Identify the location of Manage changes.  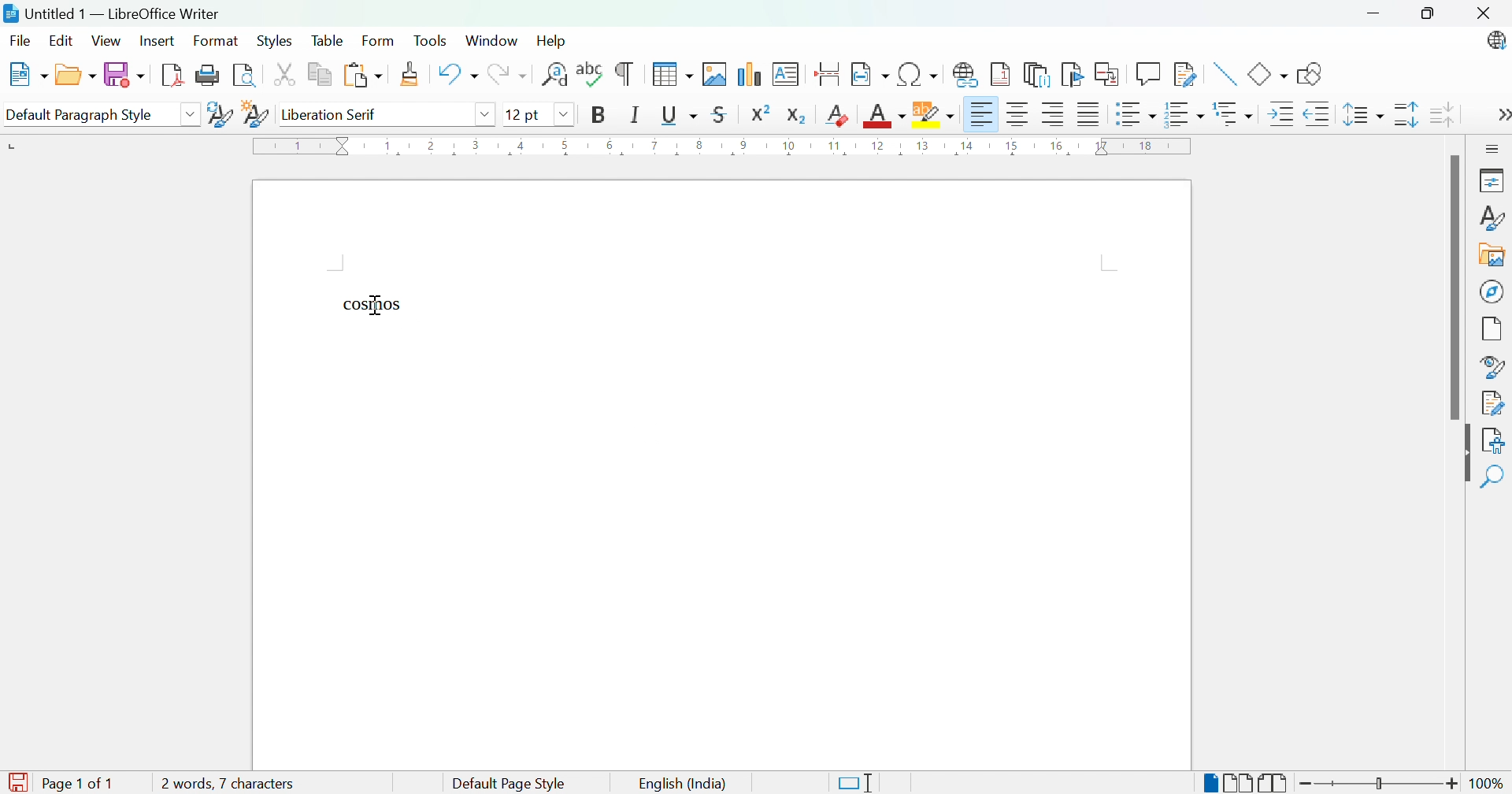
(1494, 404).